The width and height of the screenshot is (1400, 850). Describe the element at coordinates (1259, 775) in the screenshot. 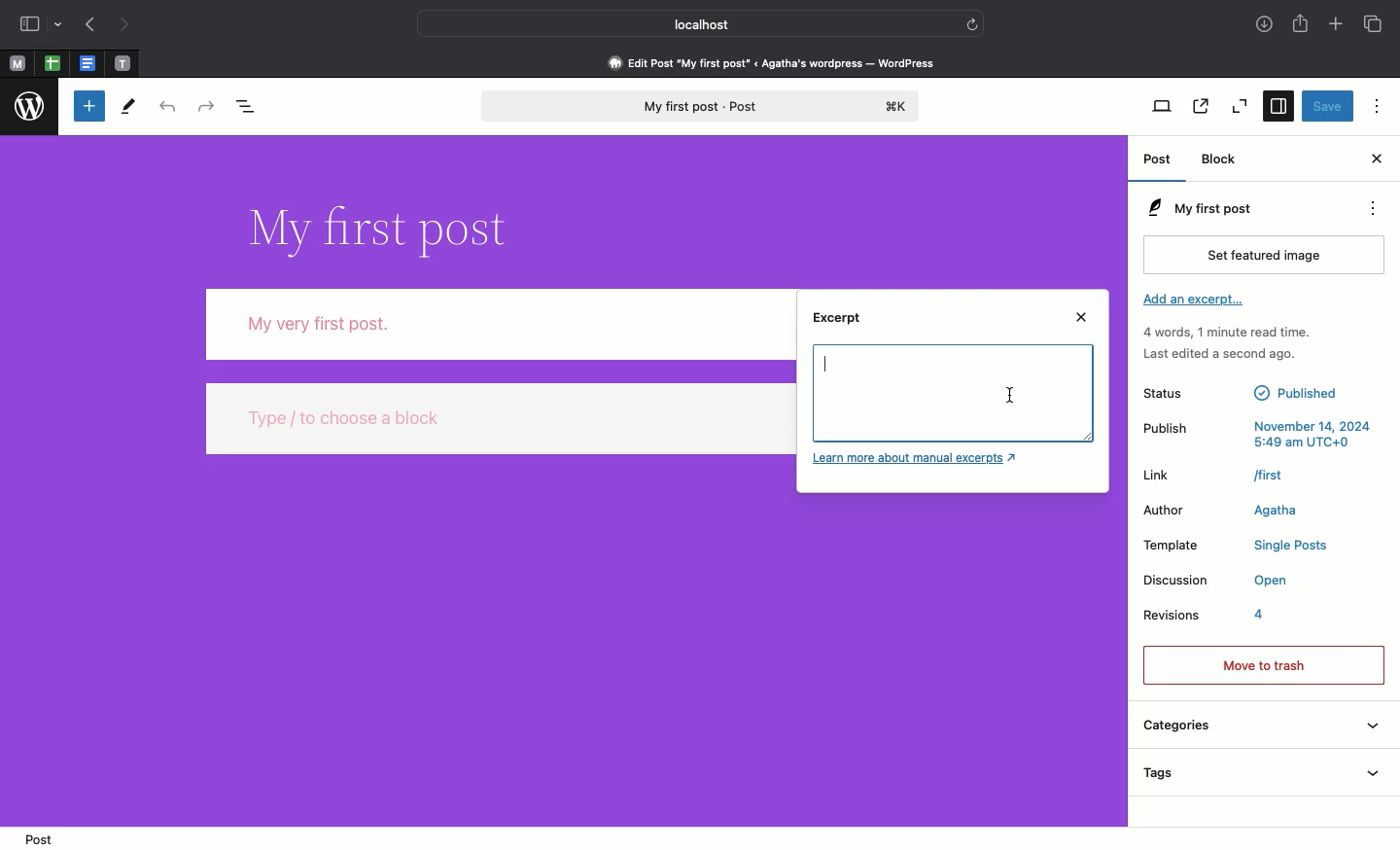

I see `Tags` at that location.